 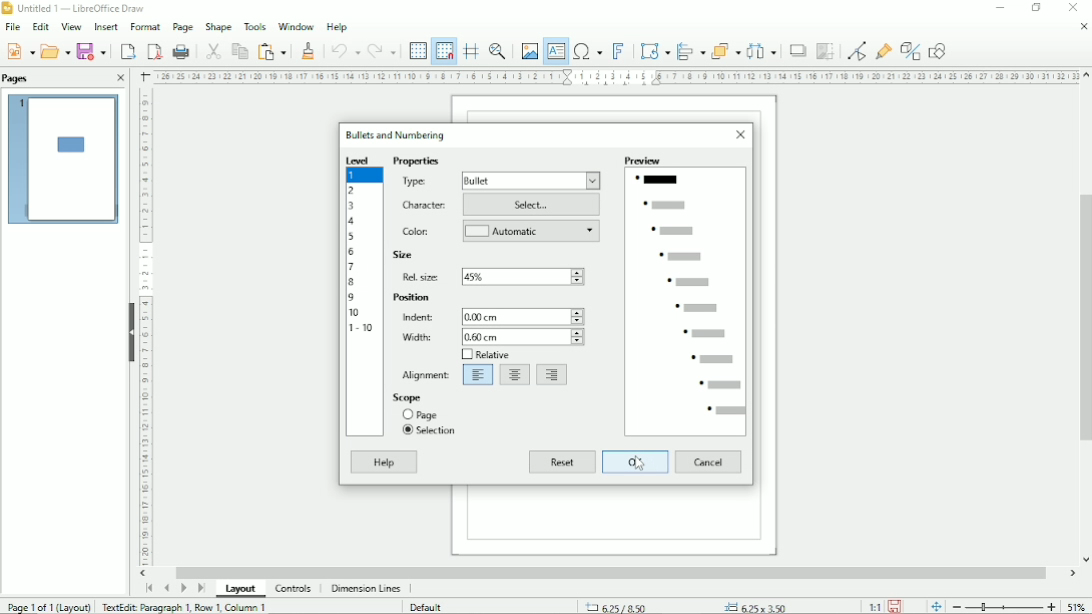 What do you see at coordinates (351, 283) in the screenshot?
I see `8` at bounding box center [351, 283].